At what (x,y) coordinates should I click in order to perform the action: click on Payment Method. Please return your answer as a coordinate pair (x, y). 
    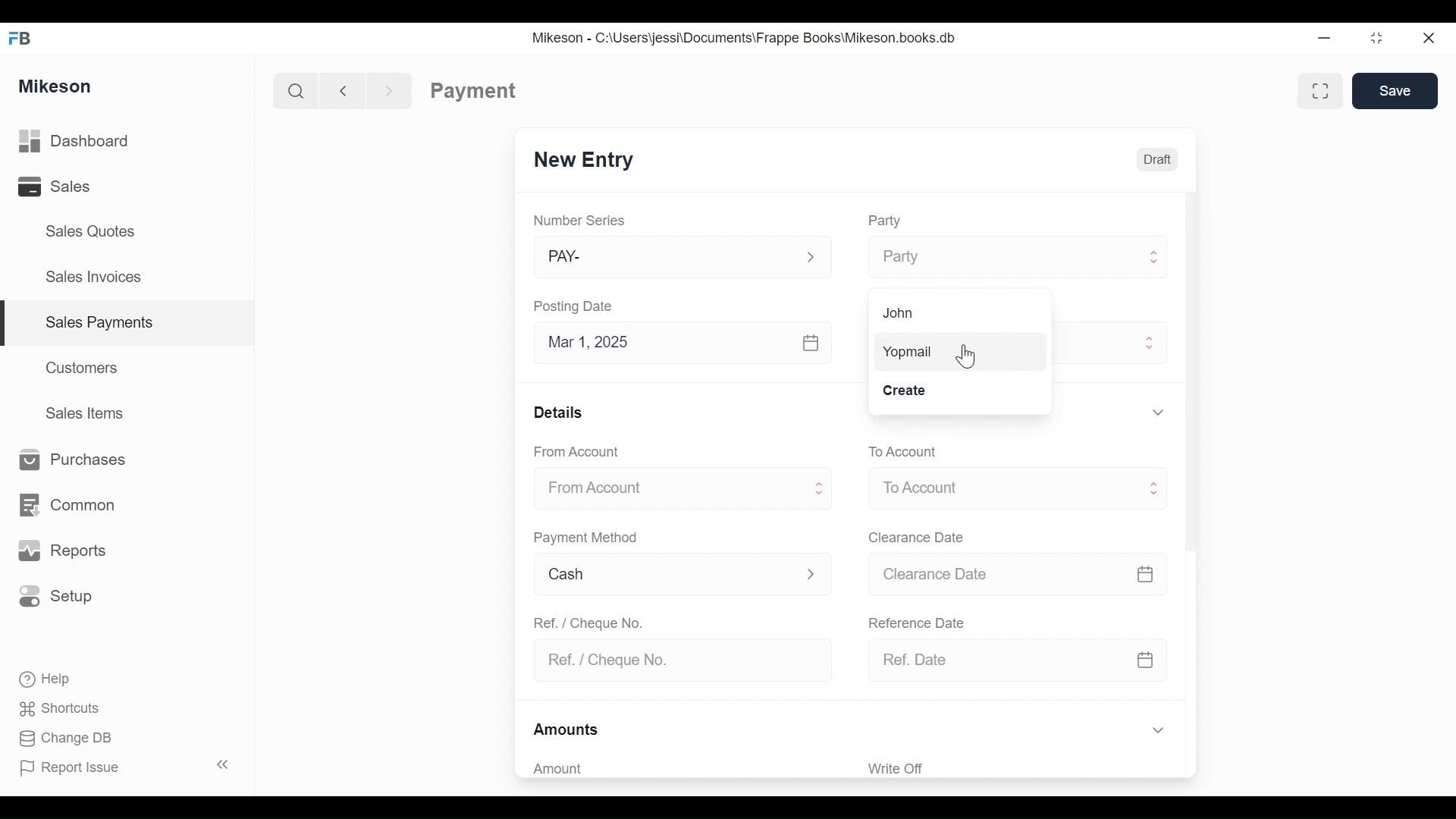
    Looking at the image, I should click on (587, 540).